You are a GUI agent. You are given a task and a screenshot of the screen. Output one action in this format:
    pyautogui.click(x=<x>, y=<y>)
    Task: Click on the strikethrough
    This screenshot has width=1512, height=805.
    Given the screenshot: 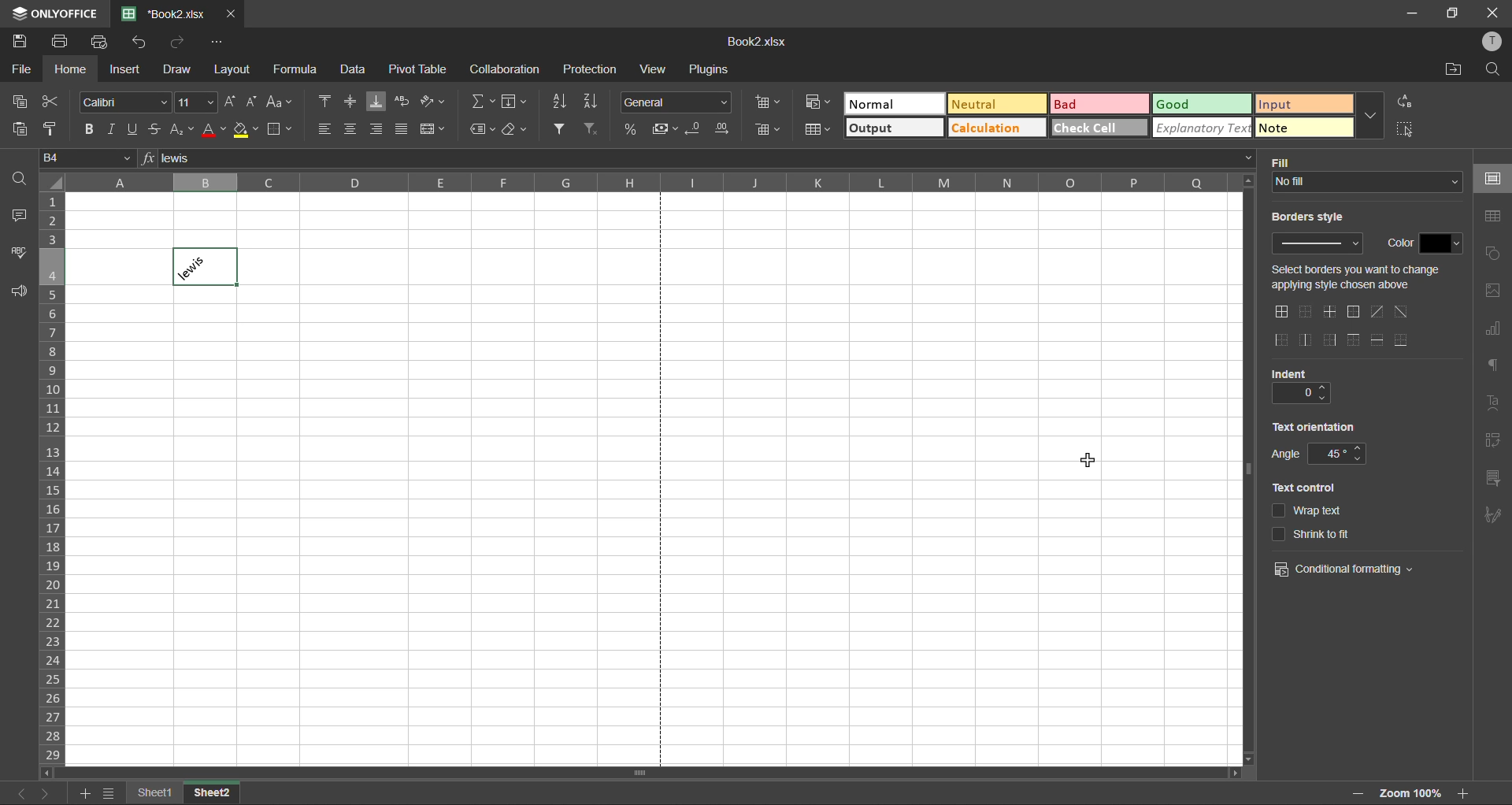 What is the action you would take?
    pyautogui.click(x=154, y=129)
    